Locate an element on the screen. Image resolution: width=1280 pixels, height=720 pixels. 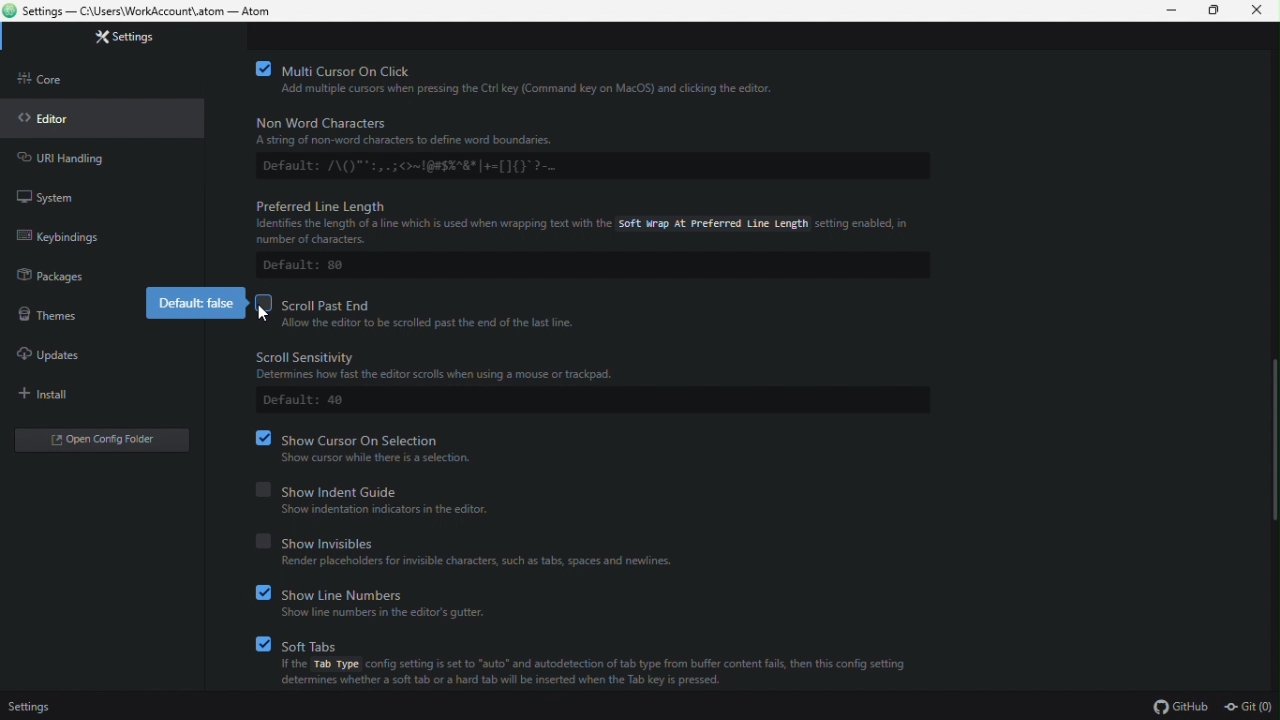
show line numbers is located at coordinates (391, 592).